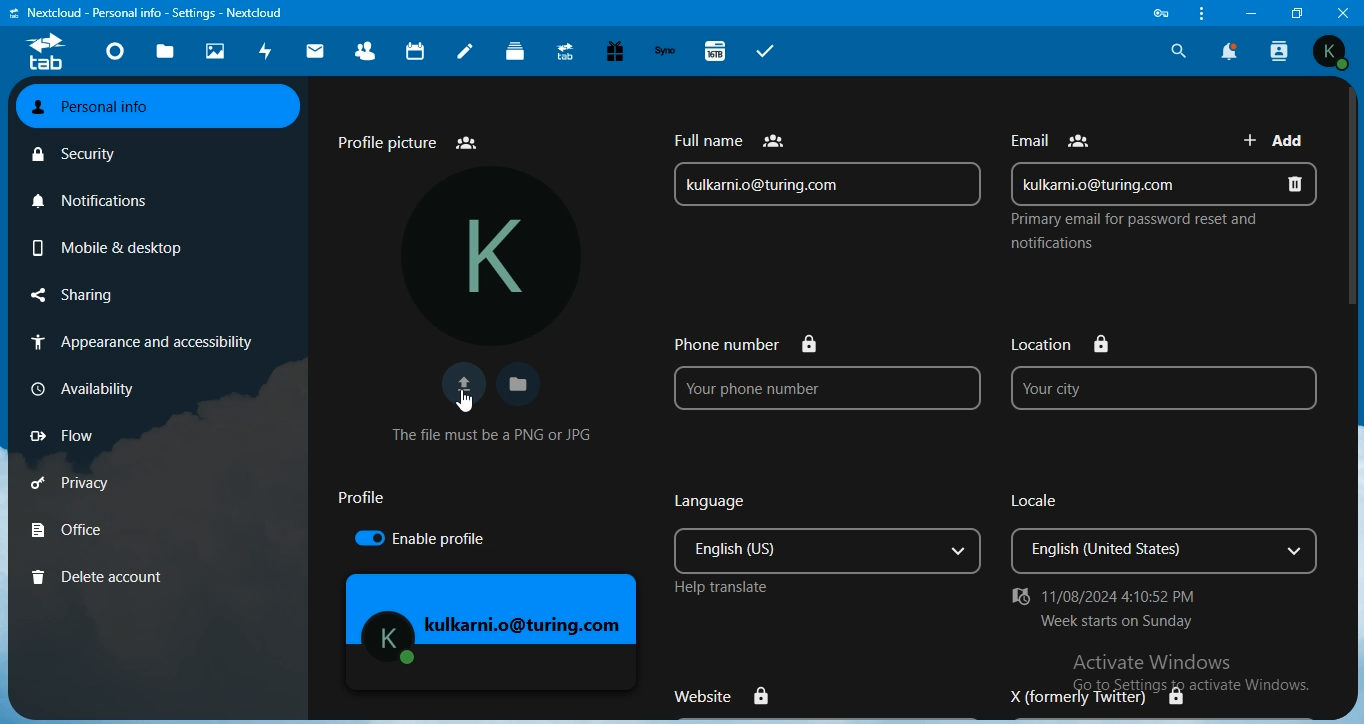 Image resolution: width=1364 pixels, height=724 pixels. I want to click on appearance & accessibilty, so click(145, 340).